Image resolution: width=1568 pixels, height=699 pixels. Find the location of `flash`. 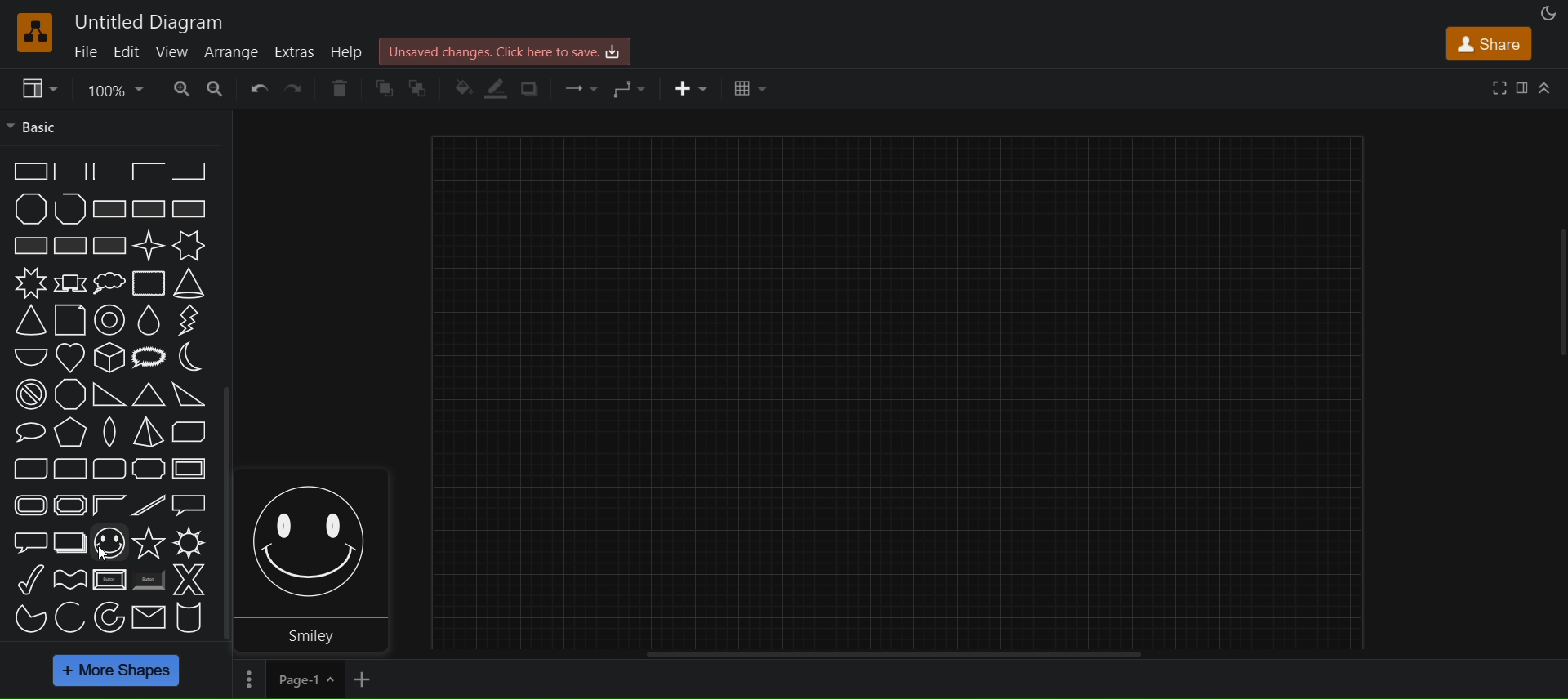

flash is located at coordinates (187, 322).